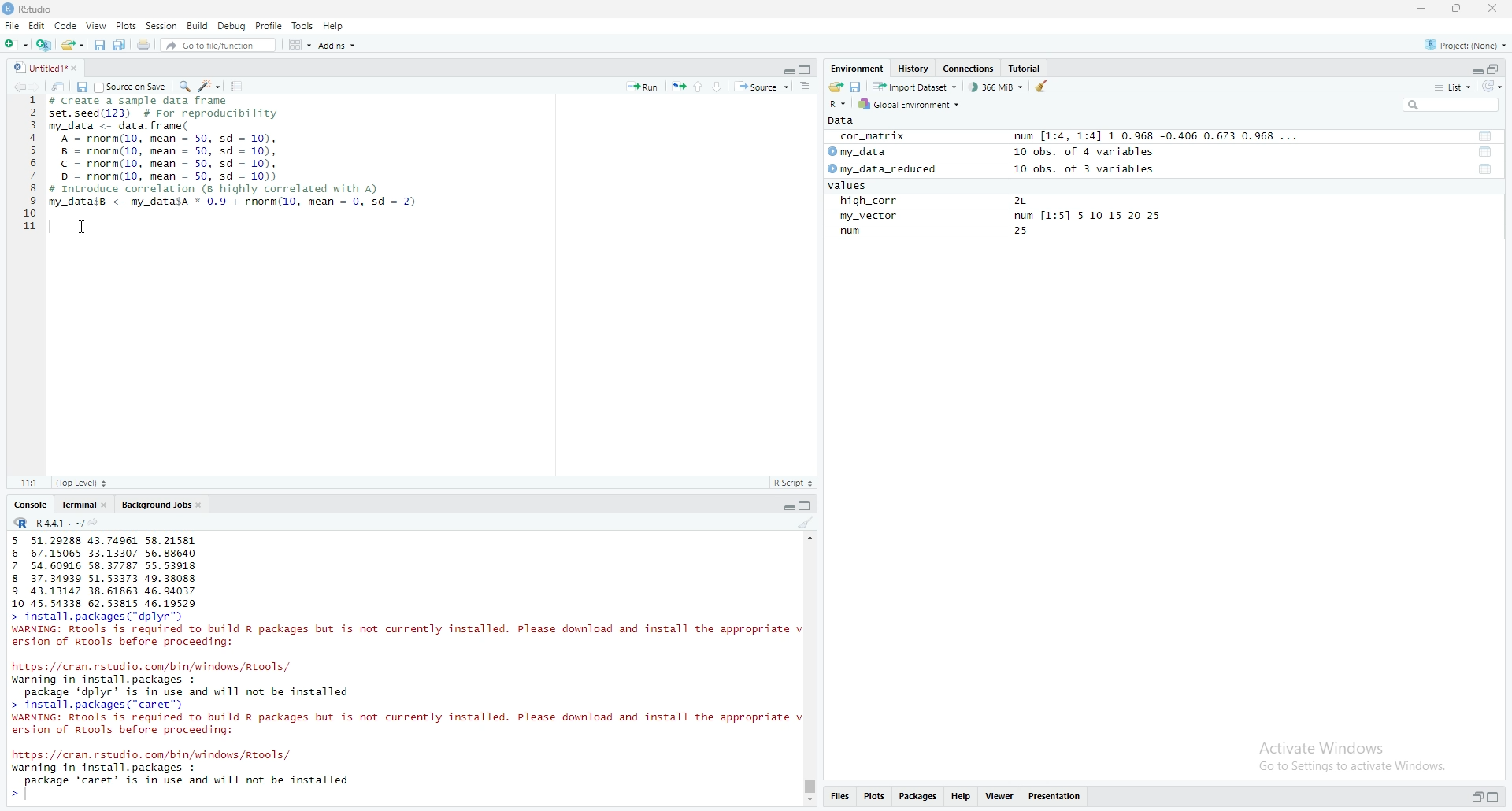  What do you see at coordinates (60, 523) in the screenshot?
I see `R 4.4.1 ~/` at bounding box center [60, 523].